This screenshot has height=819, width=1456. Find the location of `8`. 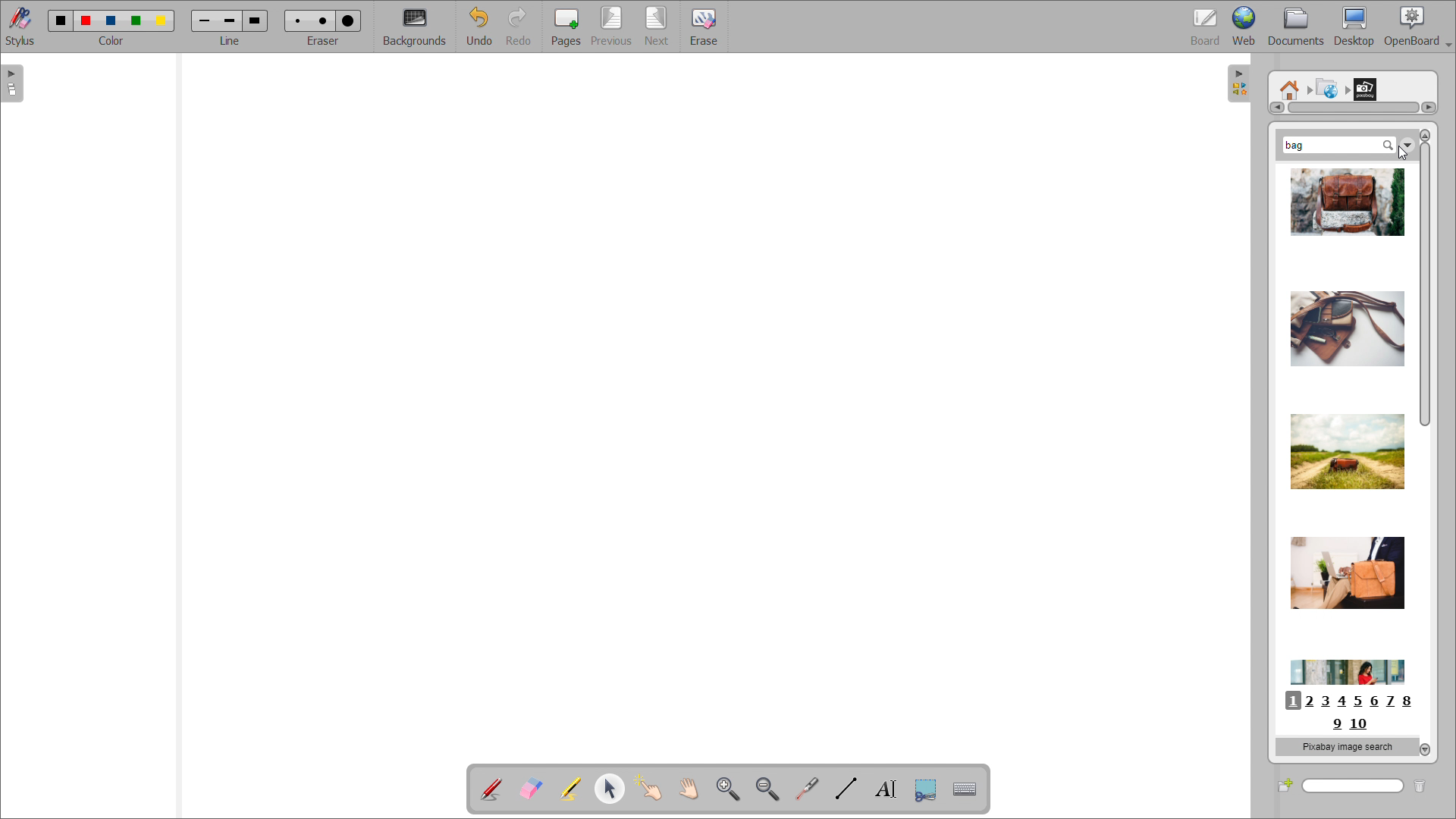

8 is located at coordinates (1412, 701).